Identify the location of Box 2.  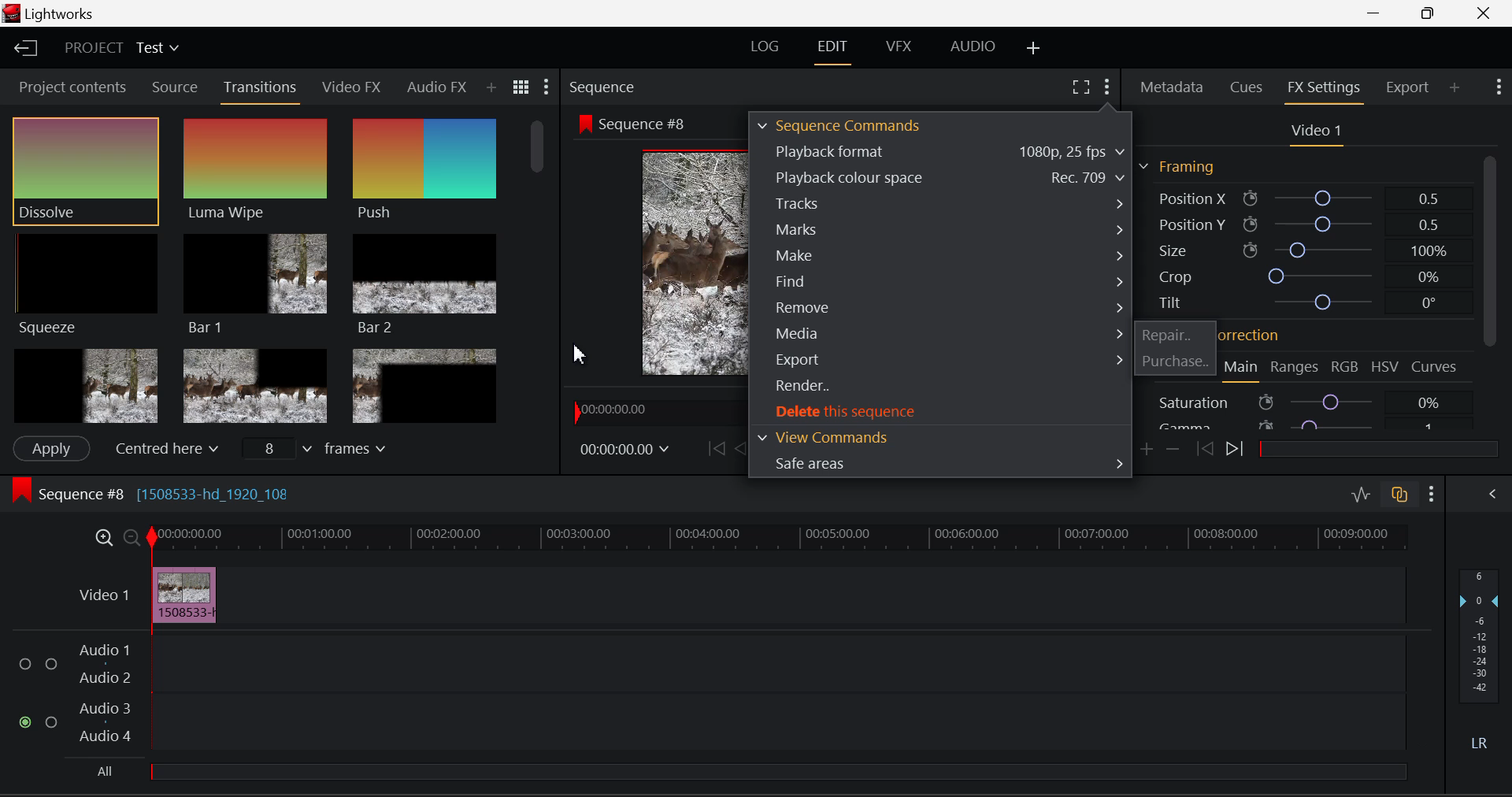
(255, 385).